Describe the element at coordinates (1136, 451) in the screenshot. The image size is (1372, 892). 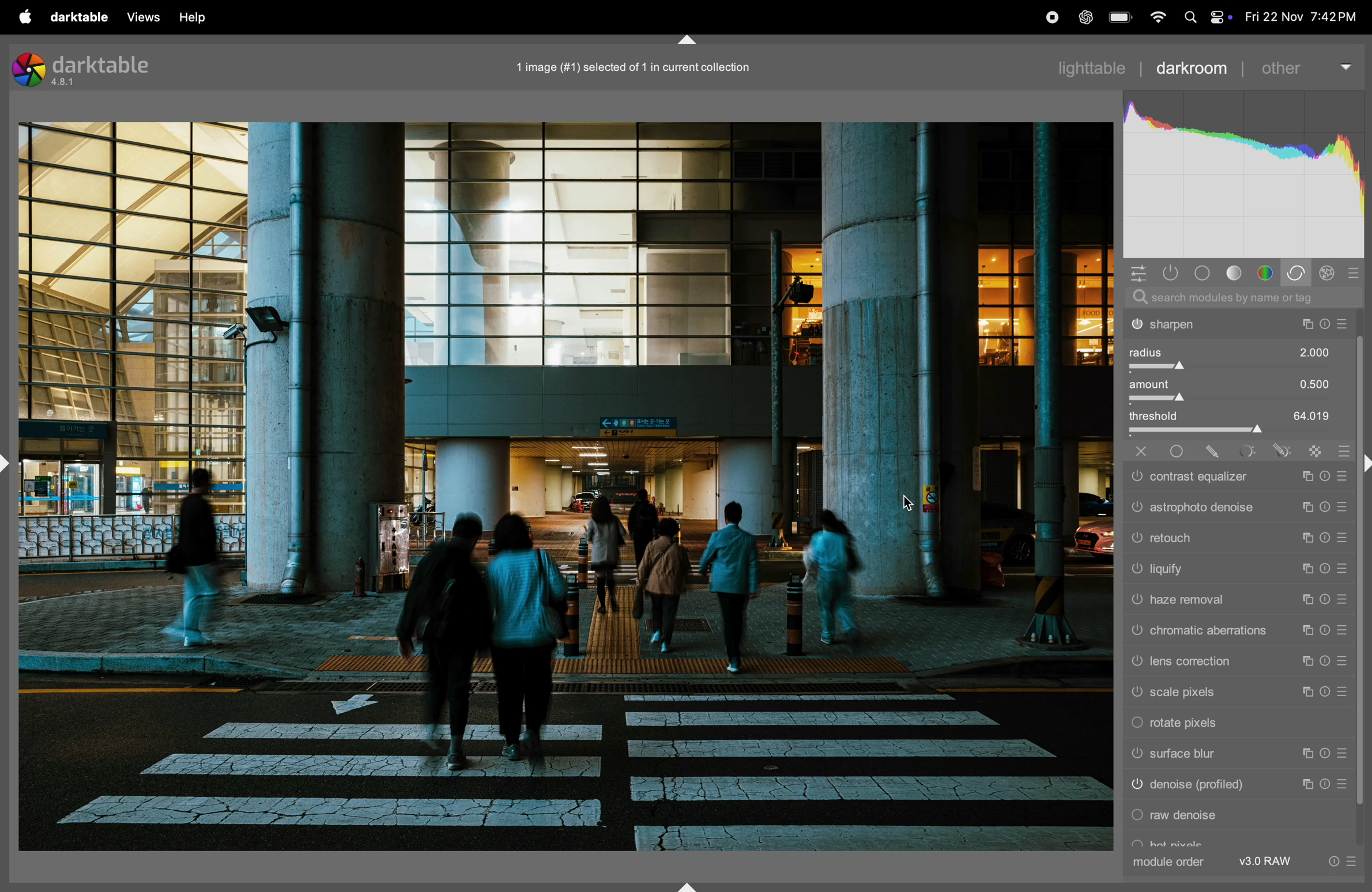
I see `close` at that location.